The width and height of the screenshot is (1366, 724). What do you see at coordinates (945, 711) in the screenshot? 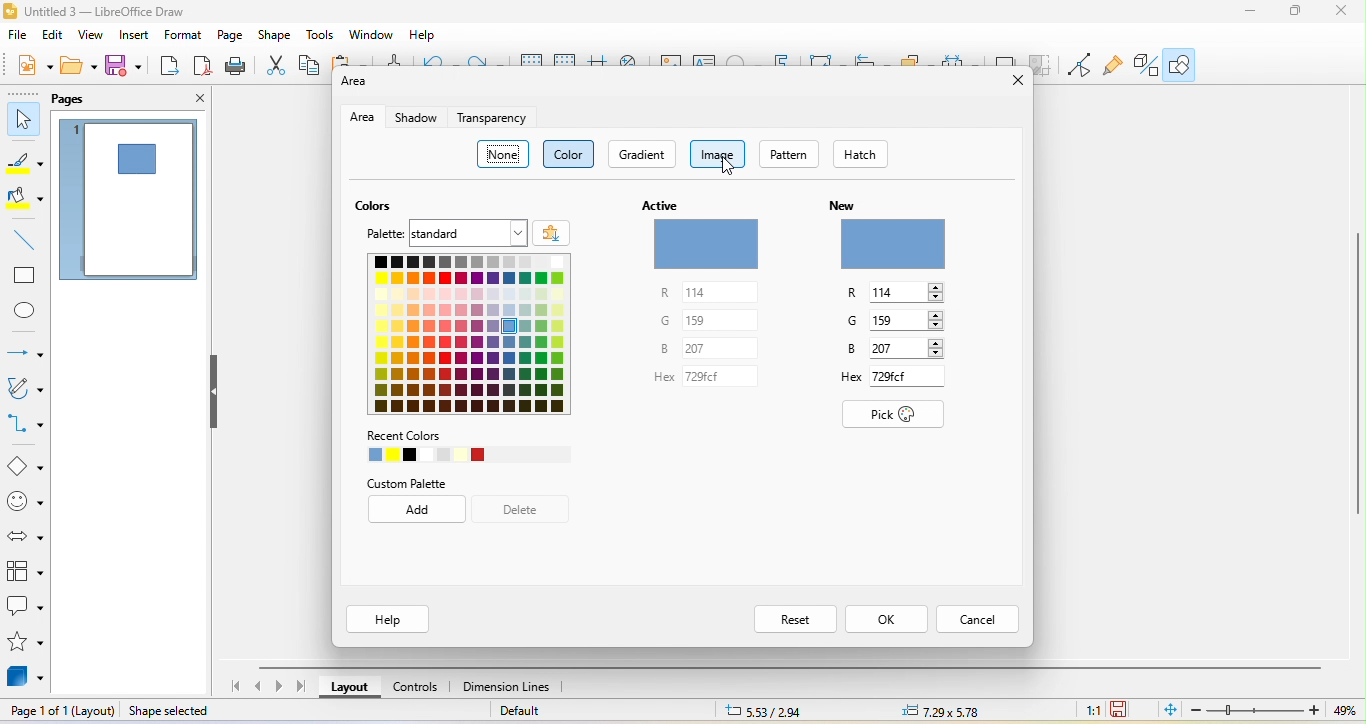
I see `7.29x5.78` at bounding box center [945, 711].